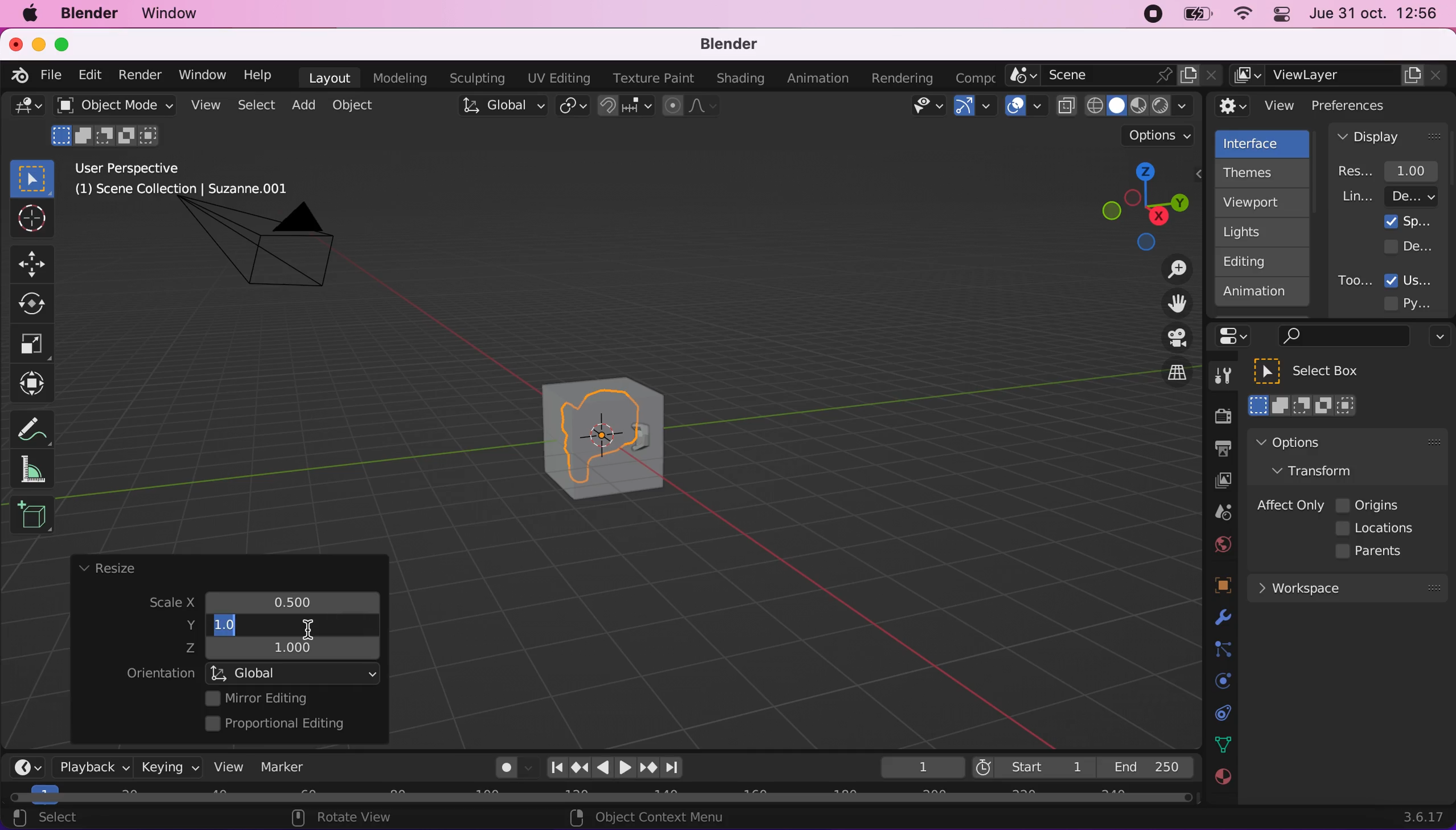 The image size is (1456, 830). What do you see at coordinates (1279, 16) in the screenshot?
I see `panel control` at bounding box center [1279, 16].